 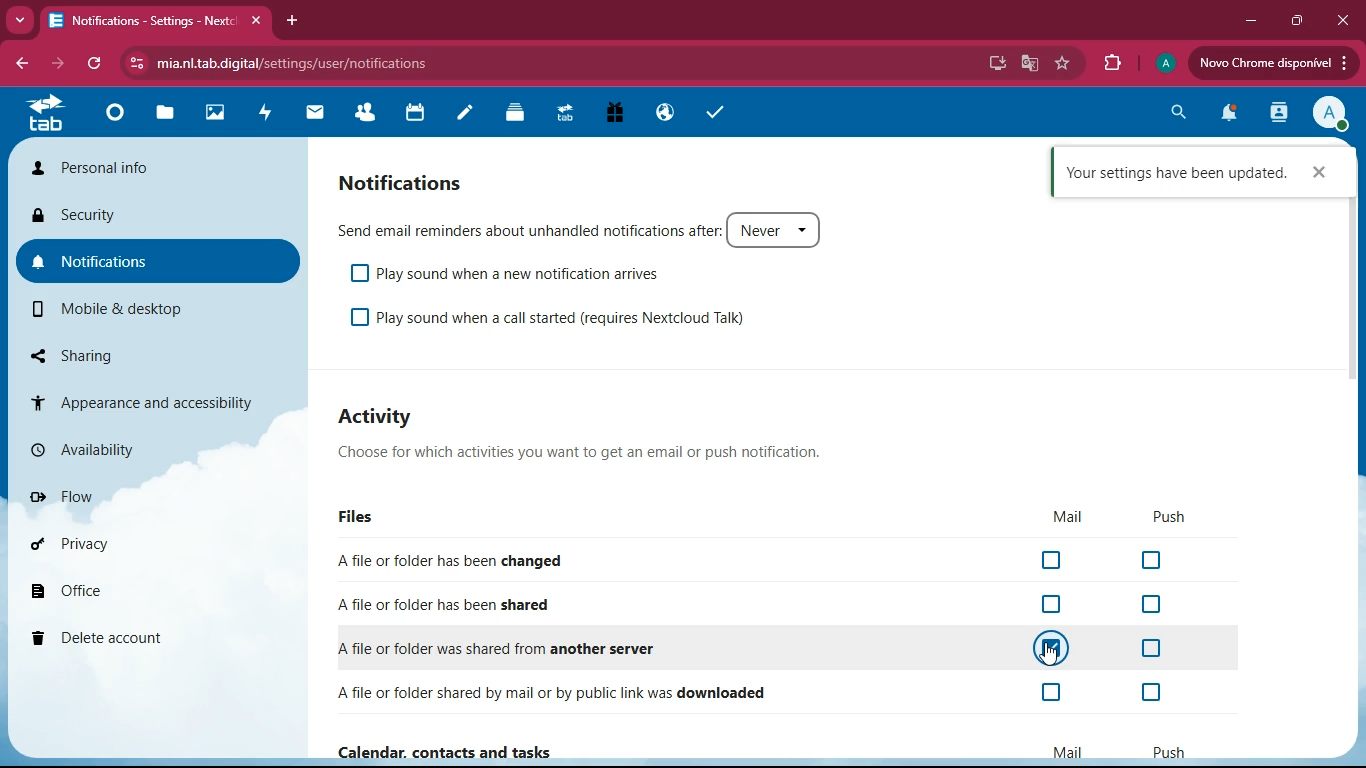 I want to click on mail, so click(x=1068, y=750).